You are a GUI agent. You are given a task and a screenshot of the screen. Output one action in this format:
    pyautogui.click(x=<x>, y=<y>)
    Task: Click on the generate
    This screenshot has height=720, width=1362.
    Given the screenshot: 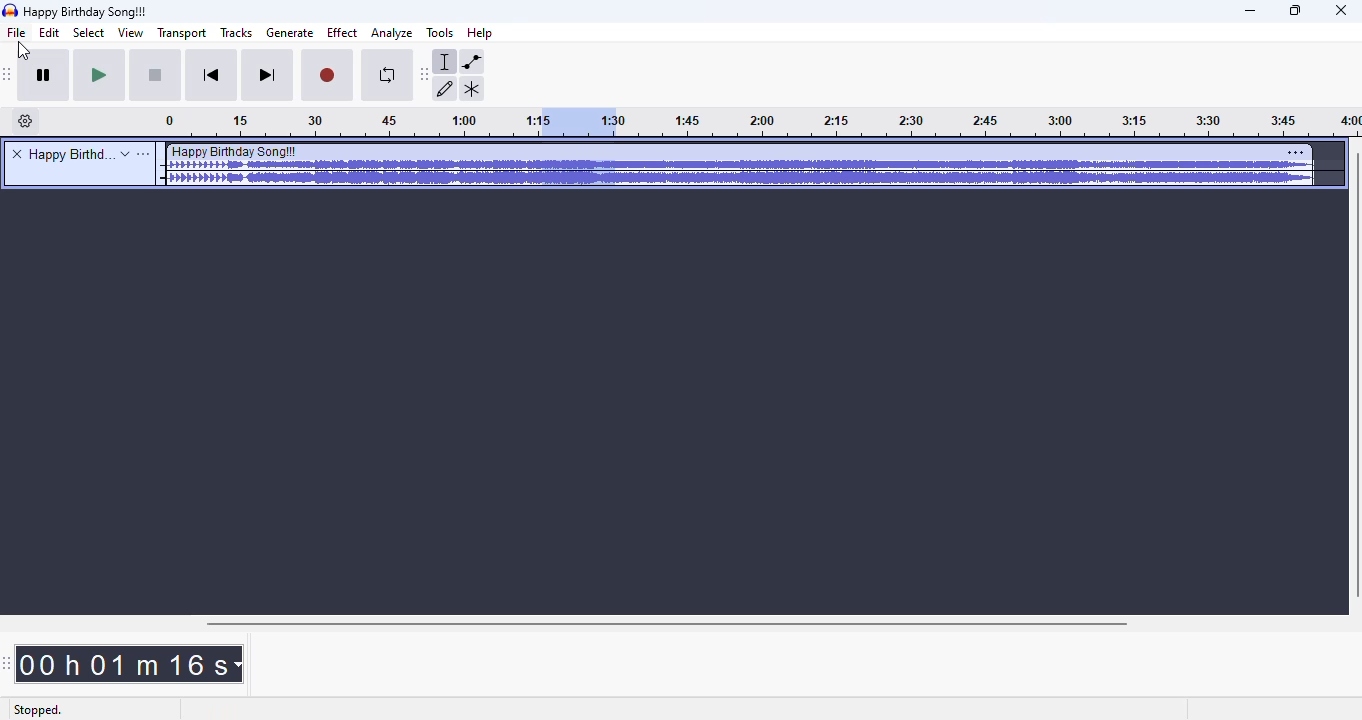 What is the action you would take?
    pyautogui.click(x=290, y=33)
    